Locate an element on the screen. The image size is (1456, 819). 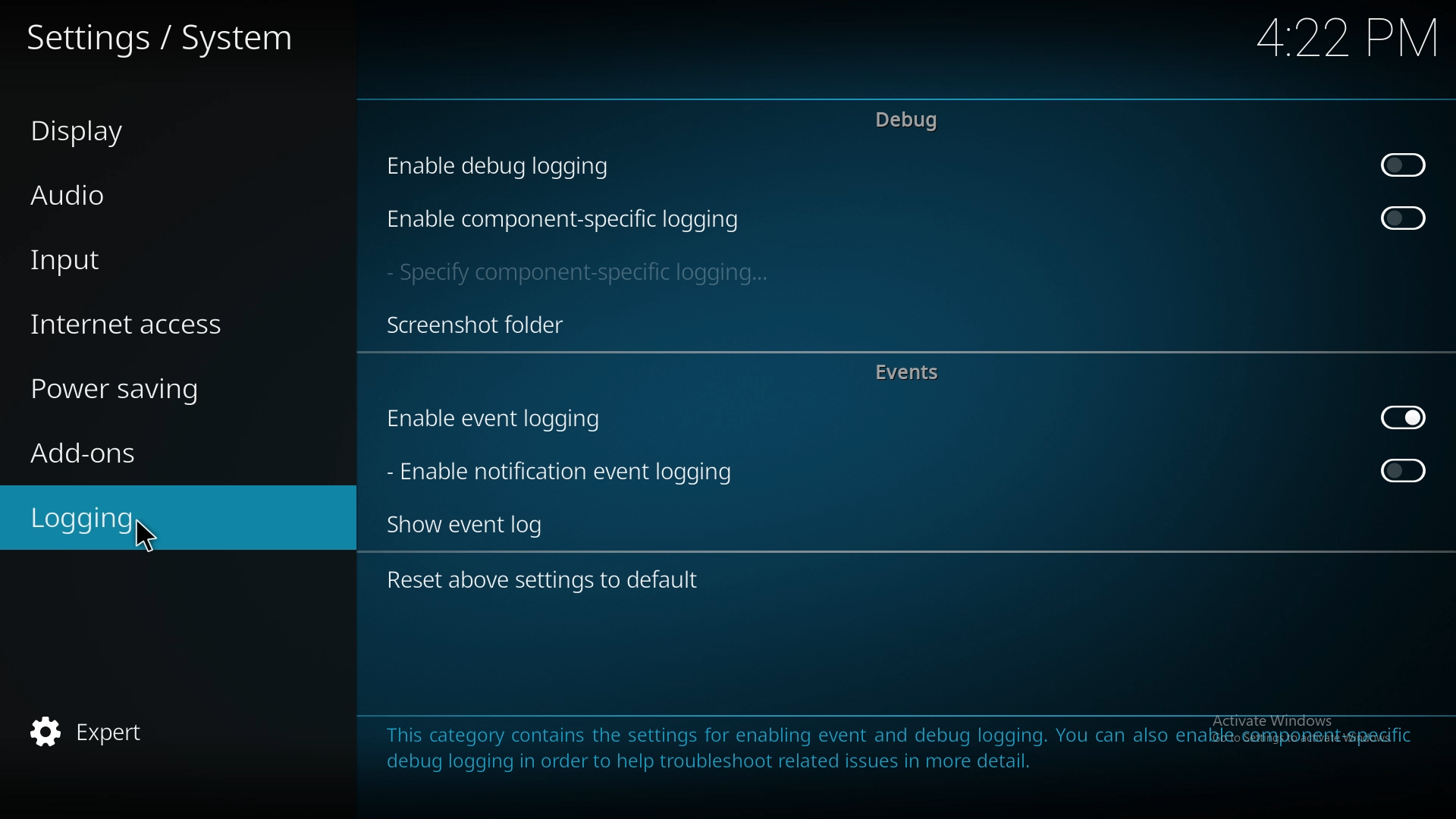
enable event logging is located at coordinates (514, 419).